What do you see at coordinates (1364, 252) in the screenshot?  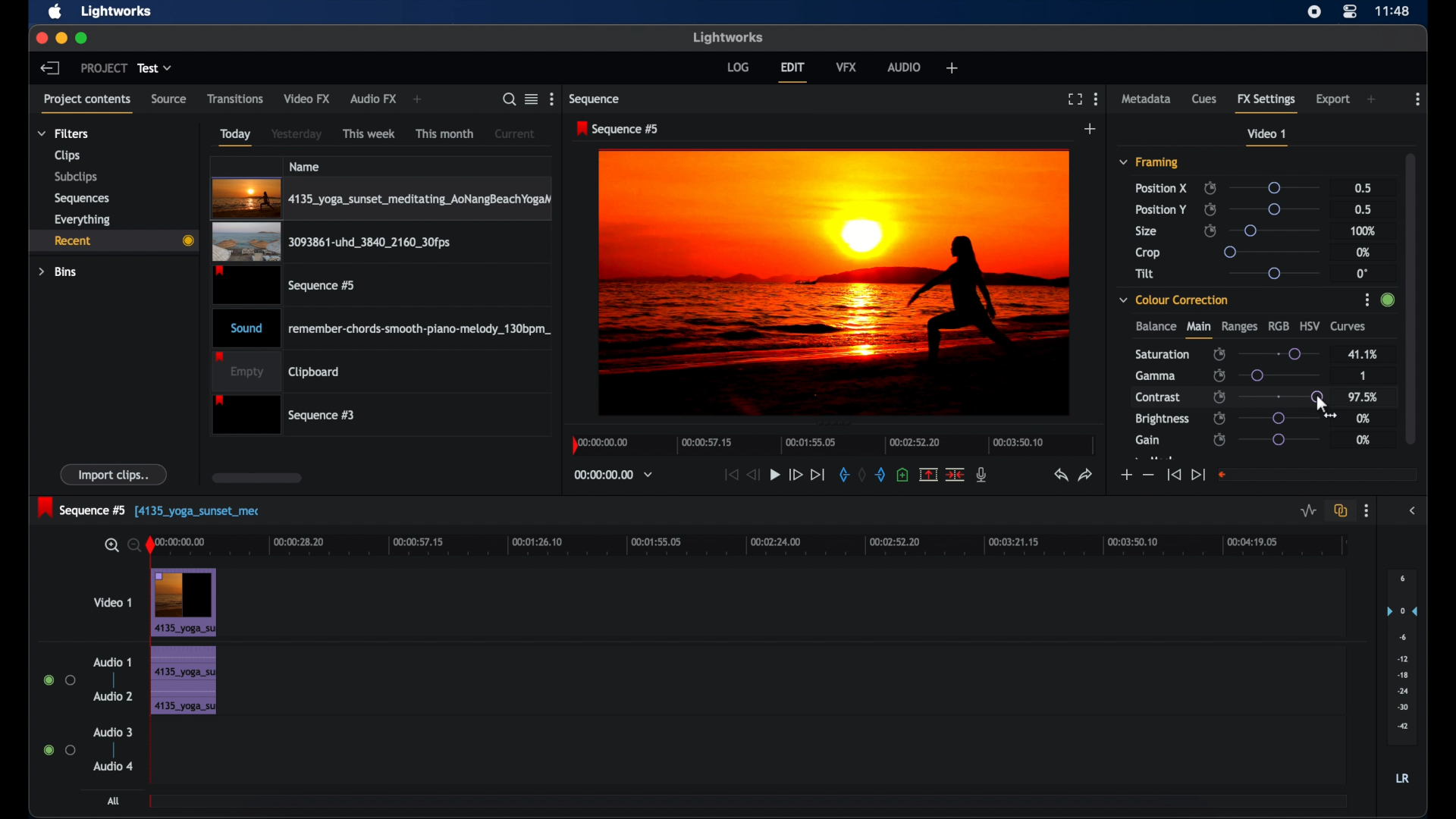 I see `0%` at bounding box center [1364, 252].